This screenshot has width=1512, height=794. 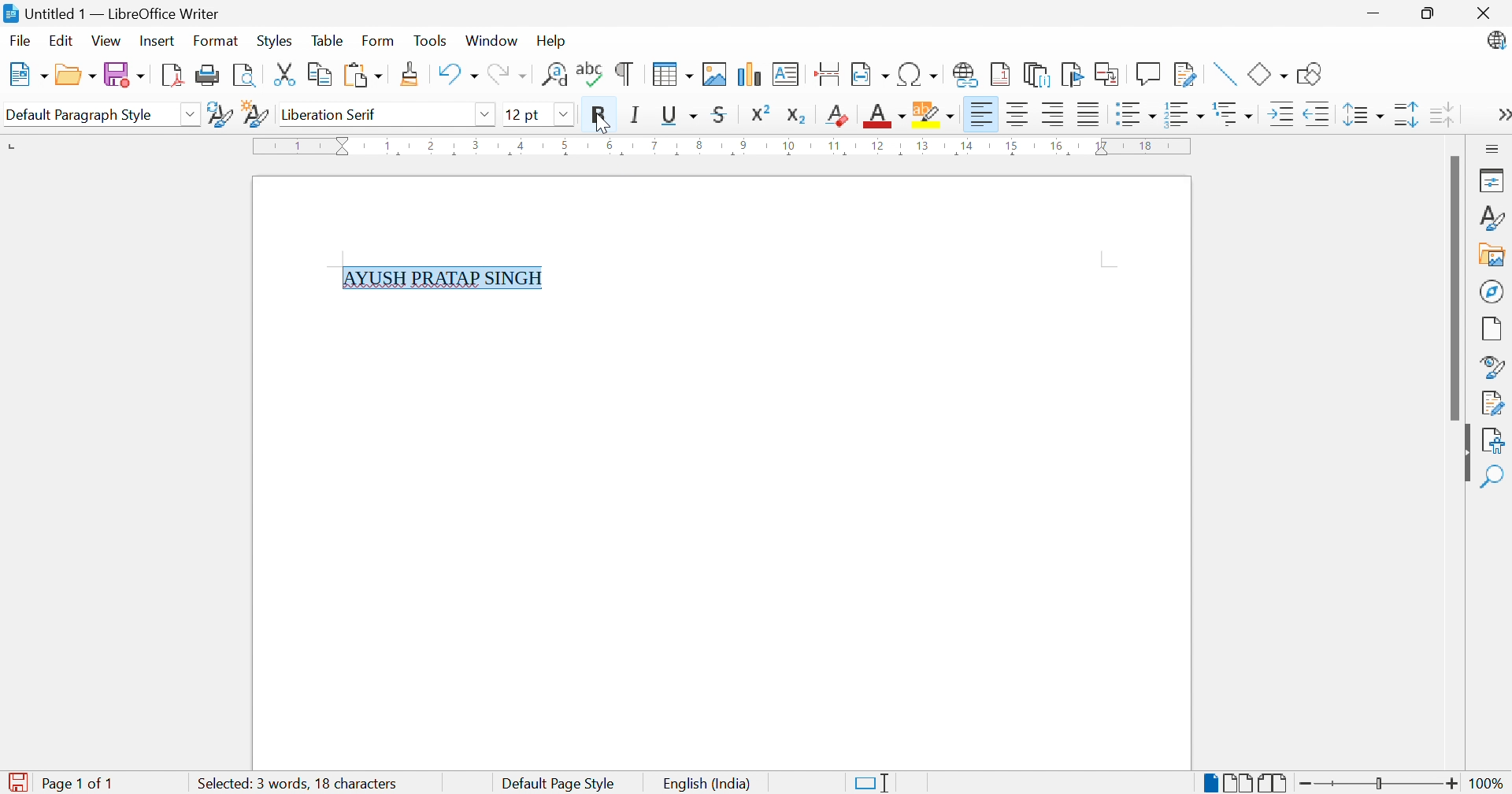 What do you see at coordinates (446, 279) in the screenshot?
I see `AYUSH PRATAP SINGH` at bounding box center [446, 279].